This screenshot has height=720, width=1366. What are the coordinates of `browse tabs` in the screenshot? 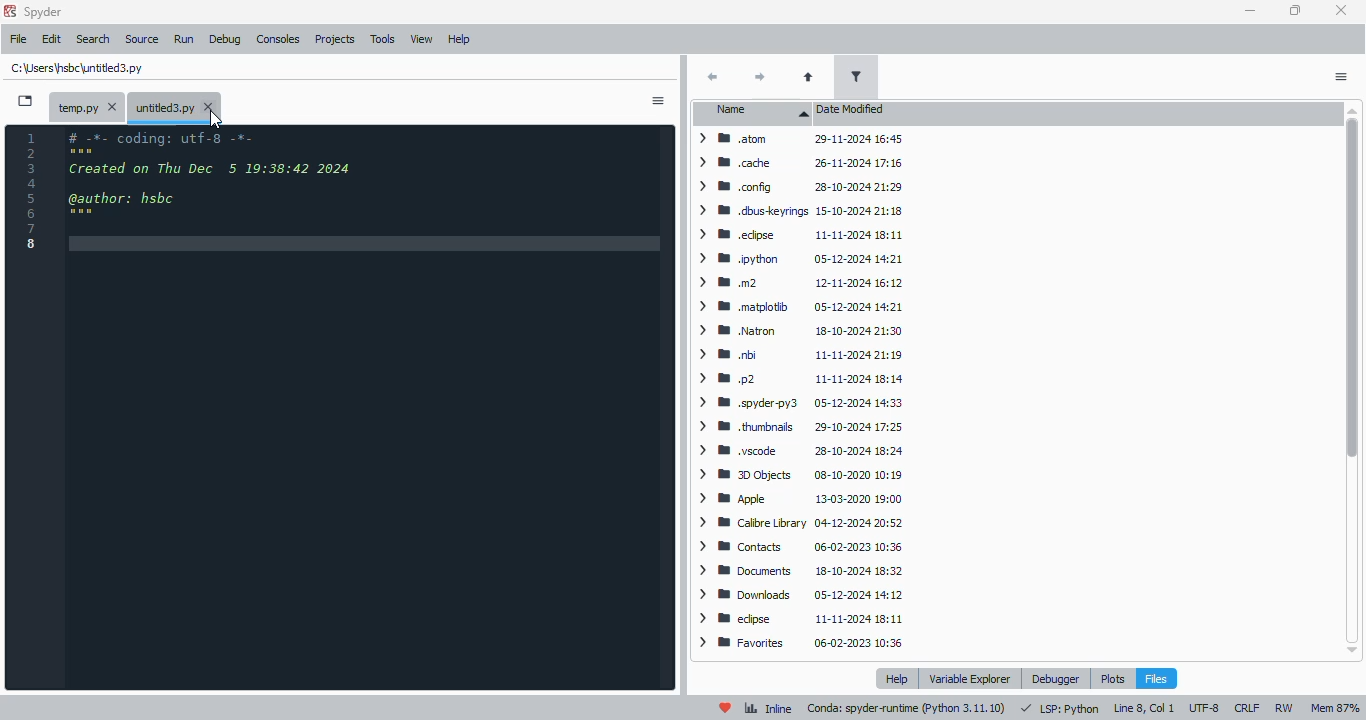 It's located at (26, 100).